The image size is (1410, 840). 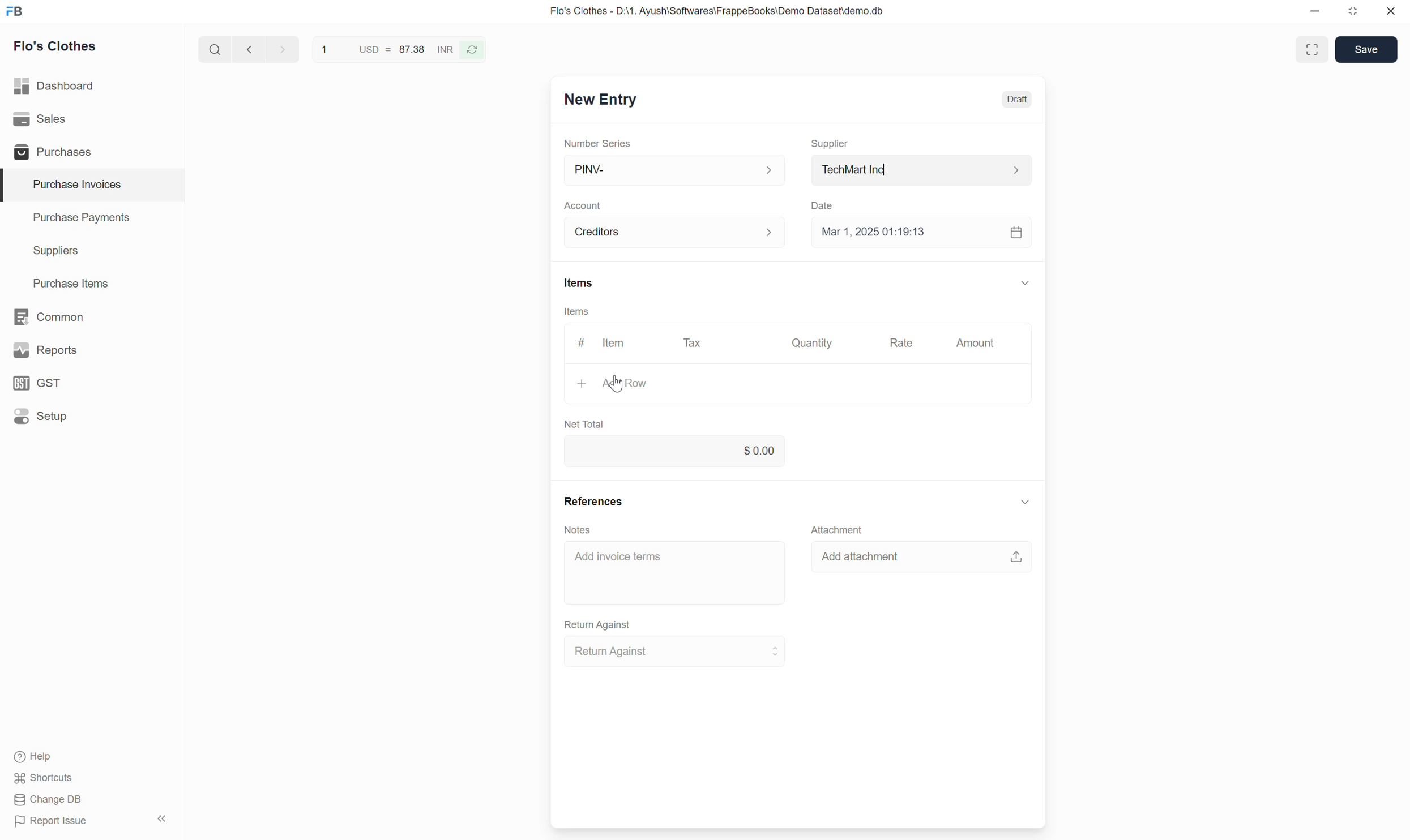 What do you see at coordinates (160, 817) in the screenshot?
I see `hide` at bounding box center [160, 817].